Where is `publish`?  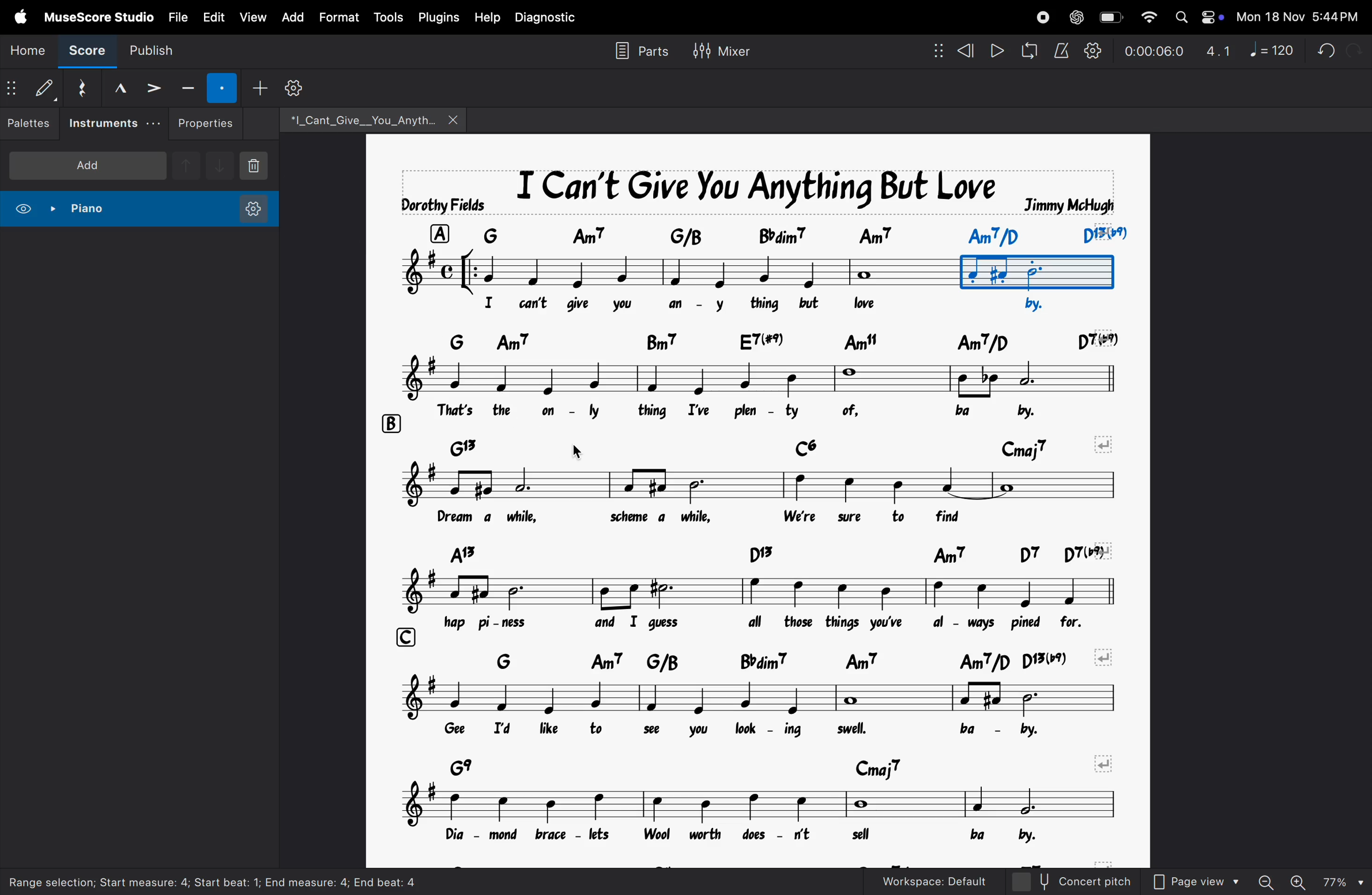 publish is located at coordinates (151, 52).